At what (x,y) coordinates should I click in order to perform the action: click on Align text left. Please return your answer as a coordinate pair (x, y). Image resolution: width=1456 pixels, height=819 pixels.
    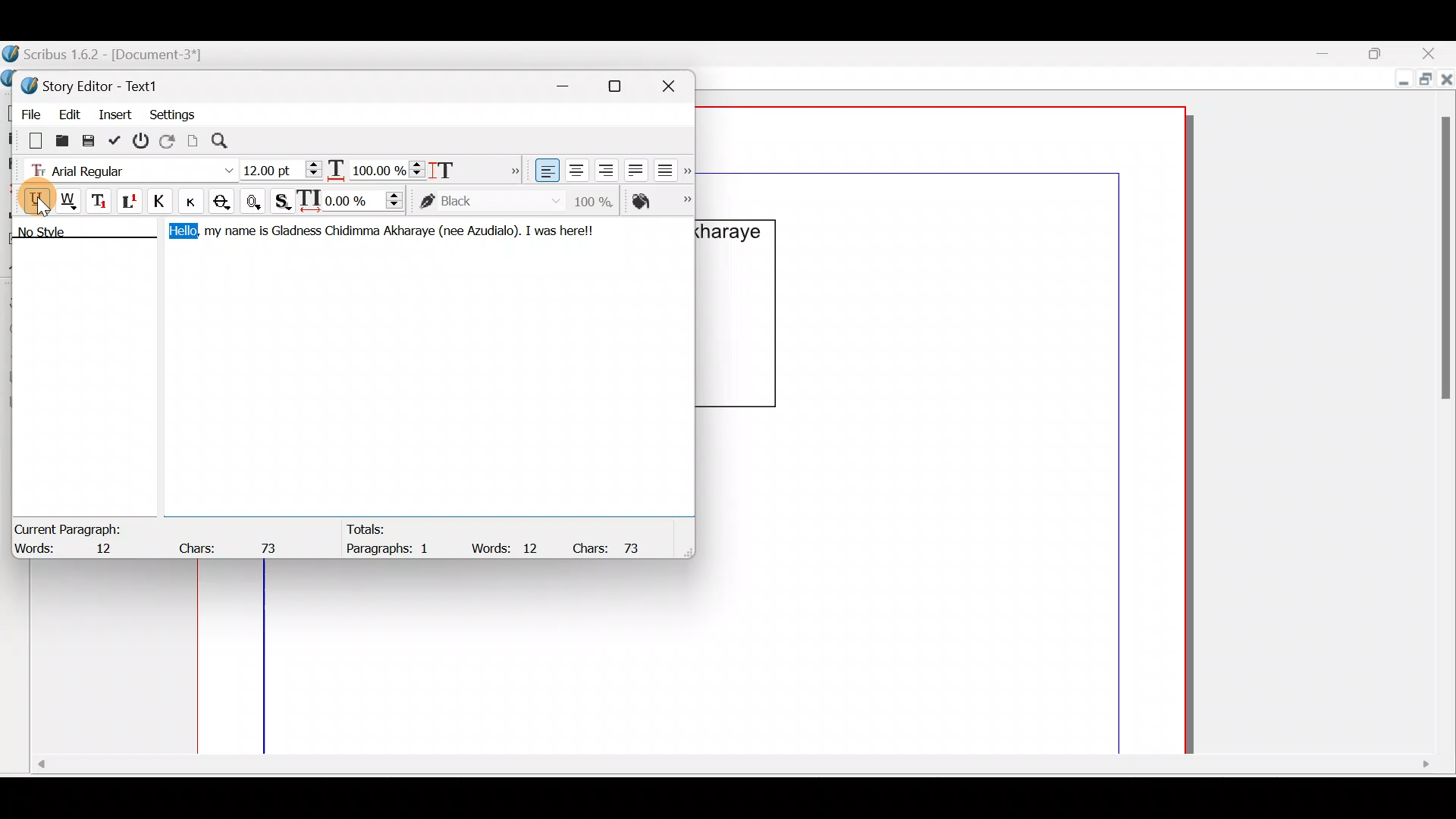
    Looking at the image, I should click on (545, 171).